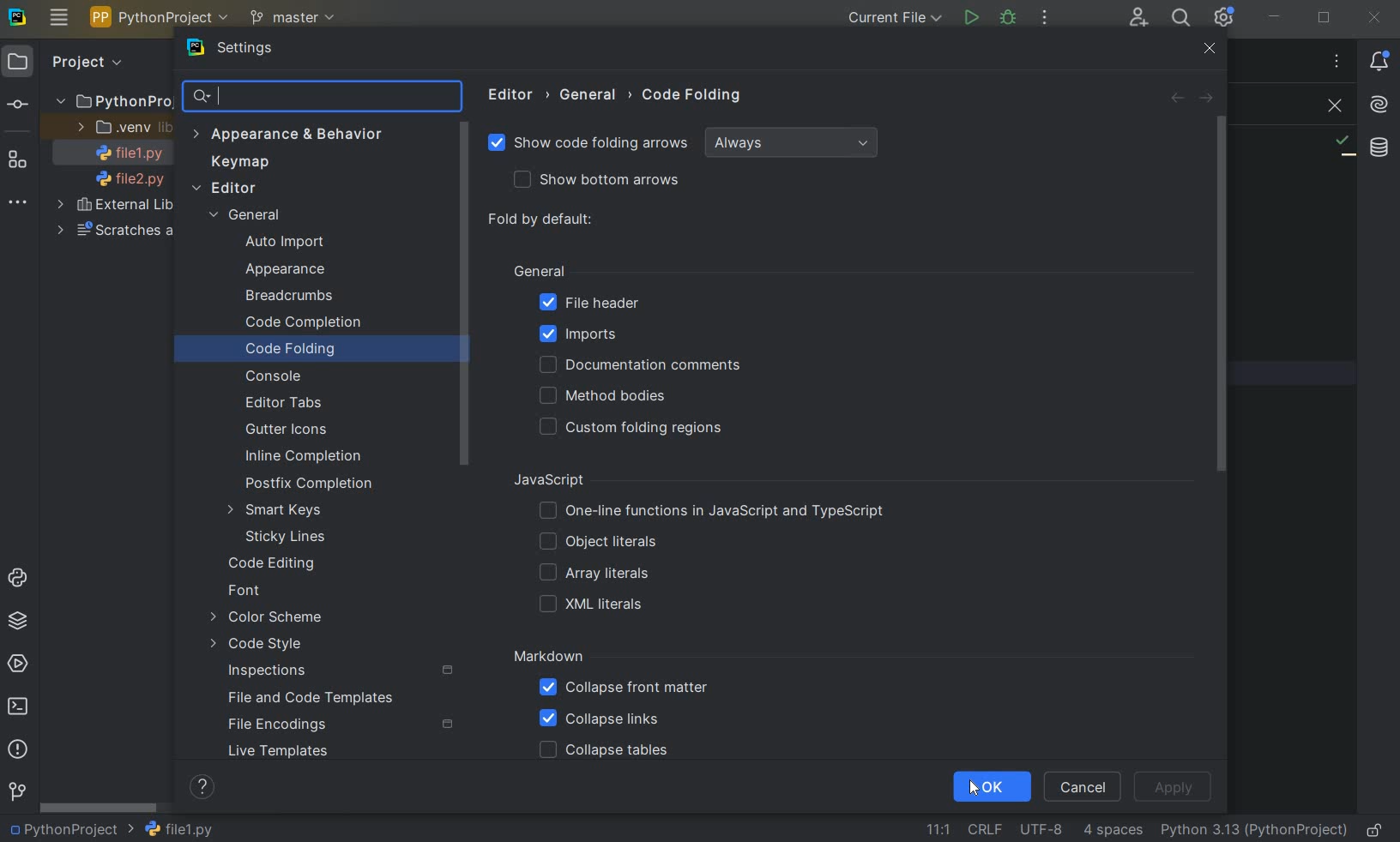 The height and width of the screenshot is (842, 1400). Describe the element at coordinates (315, 697) in the screenshot. I see `FILE AND CODE TEMPLATES` at that location.